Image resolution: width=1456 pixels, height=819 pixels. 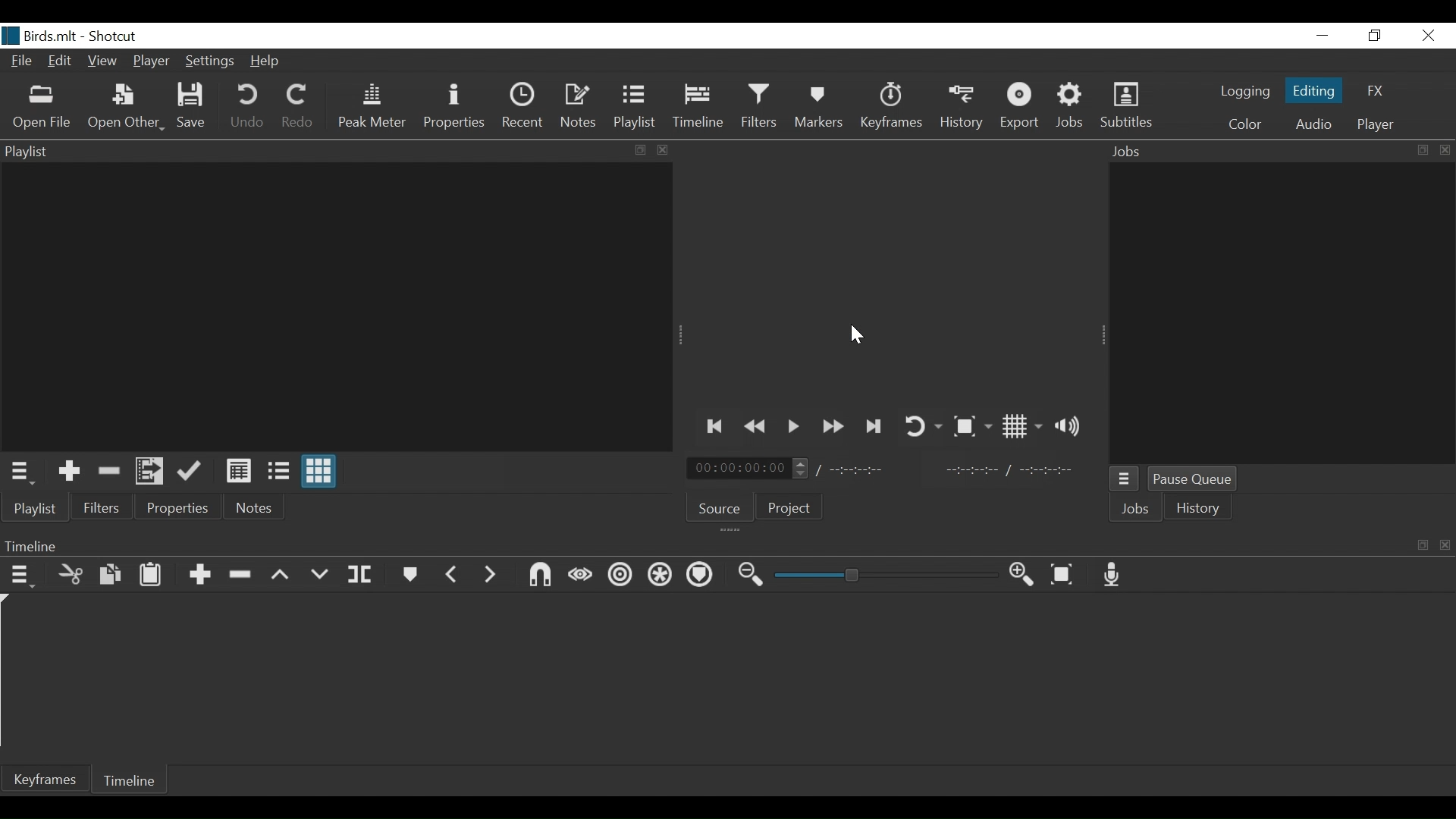 What do you see at coordinates (151, 574) in the screenshot?
I see `Paste` at bounding box center [151, 574].